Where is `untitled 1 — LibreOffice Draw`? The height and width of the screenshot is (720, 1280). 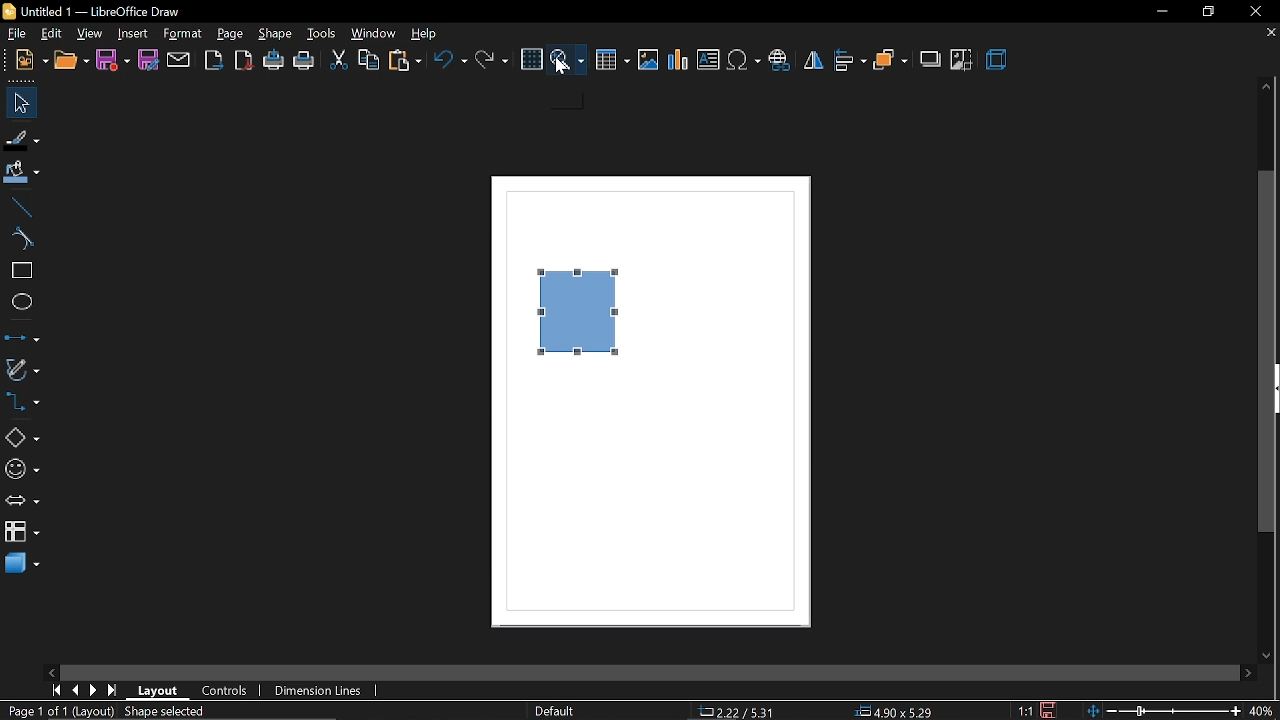
untitled 1 — LibreOffice Draw is located at coordinates (104, 11).